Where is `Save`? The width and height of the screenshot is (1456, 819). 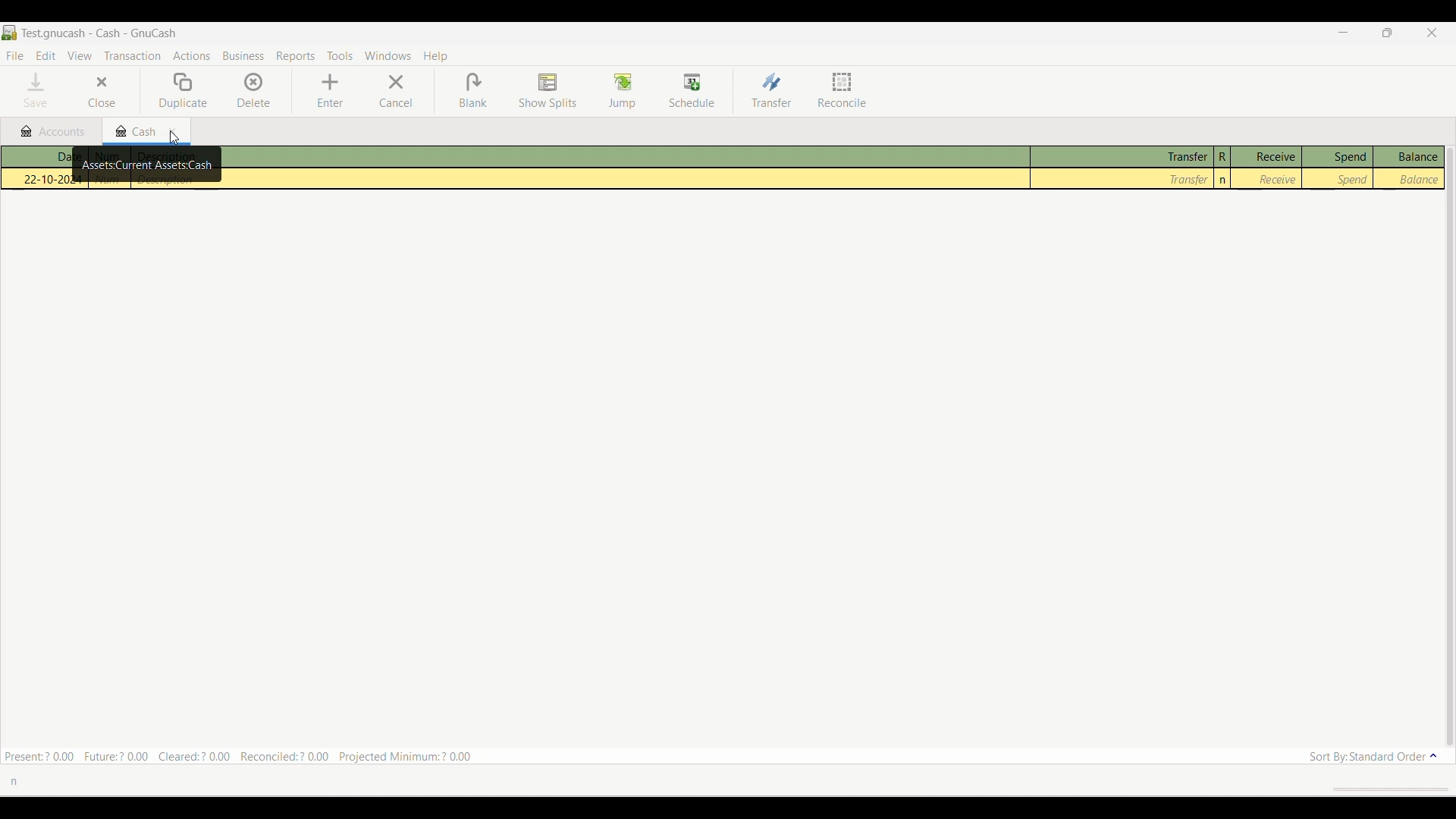 Save is located at coordinates (35, 90).